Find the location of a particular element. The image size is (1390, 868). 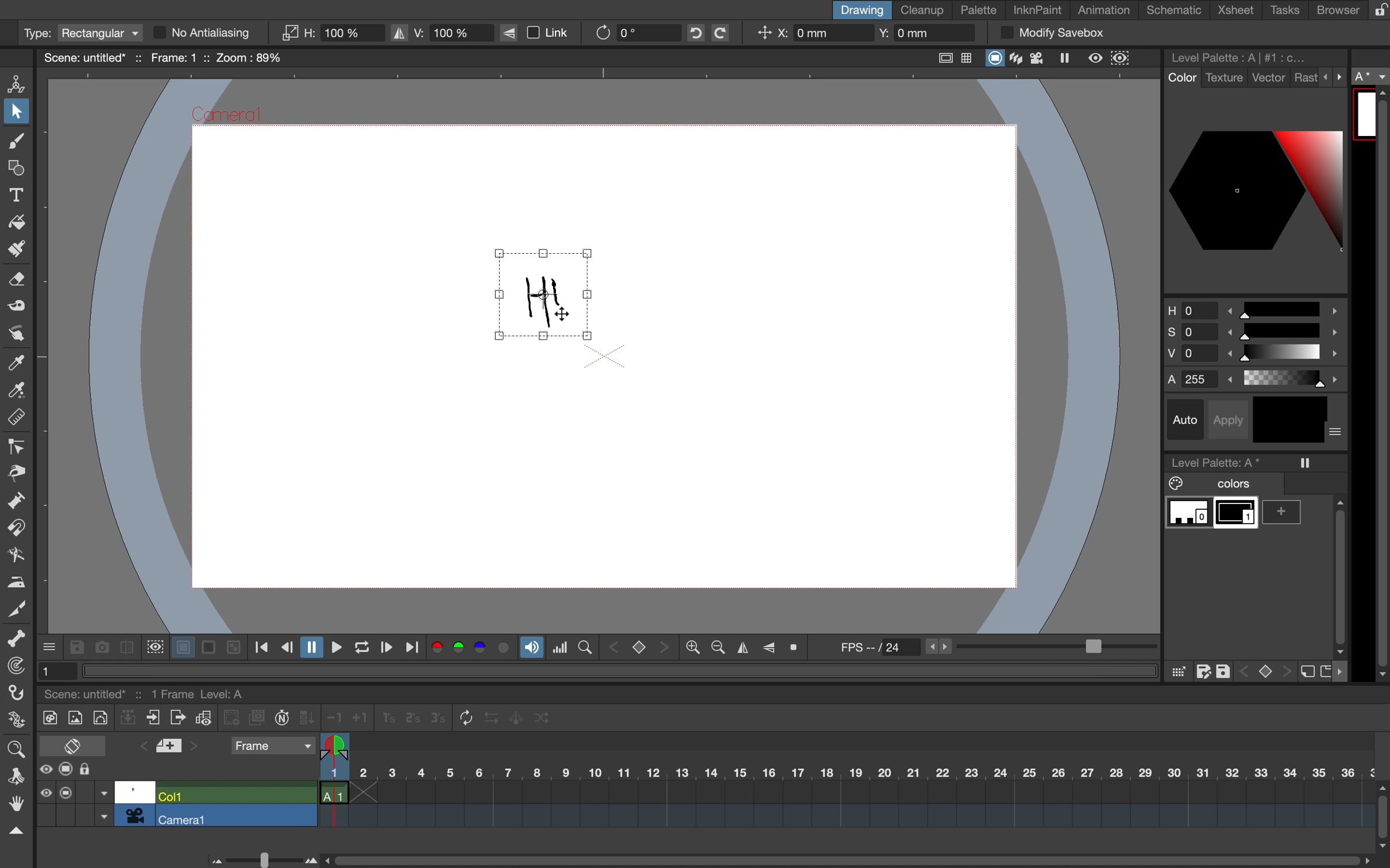

vertical scroll bar timeline bar is located at coordinates (1381, 815).